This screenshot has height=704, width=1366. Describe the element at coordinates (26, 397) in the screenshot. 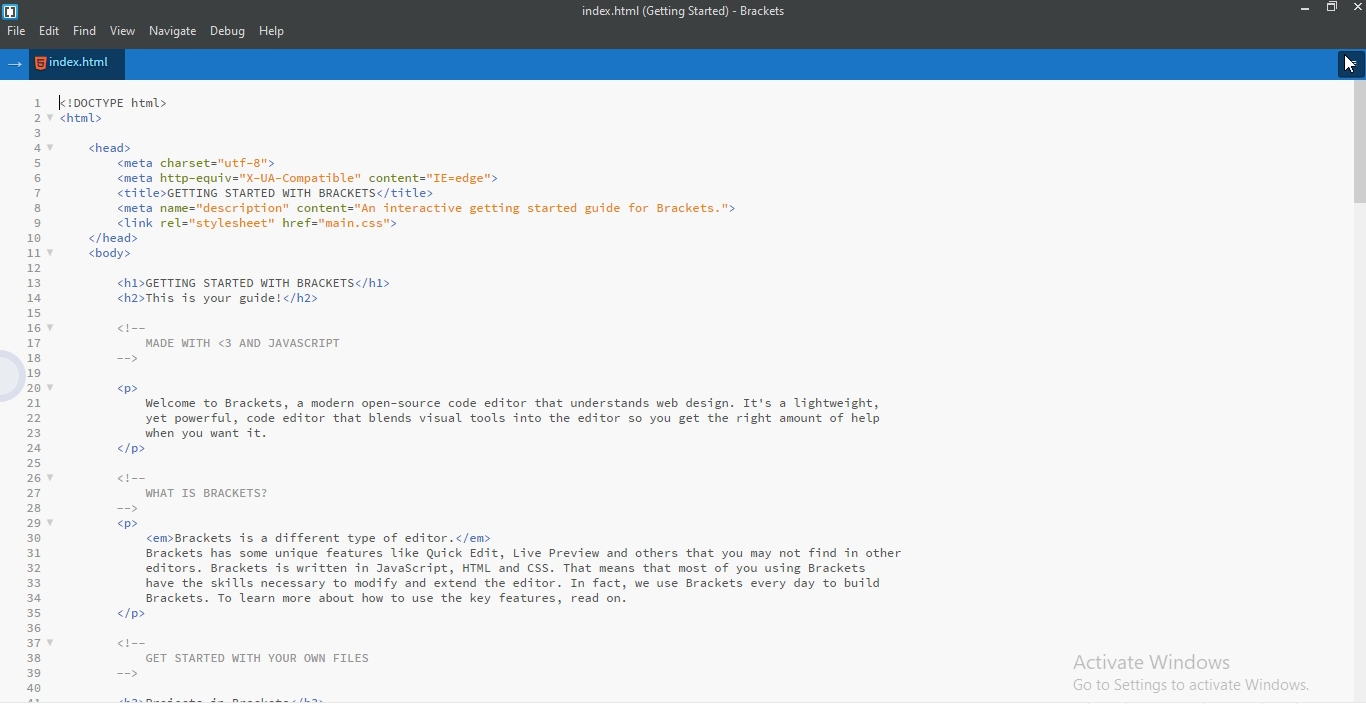

I see `Line Number` at that location.